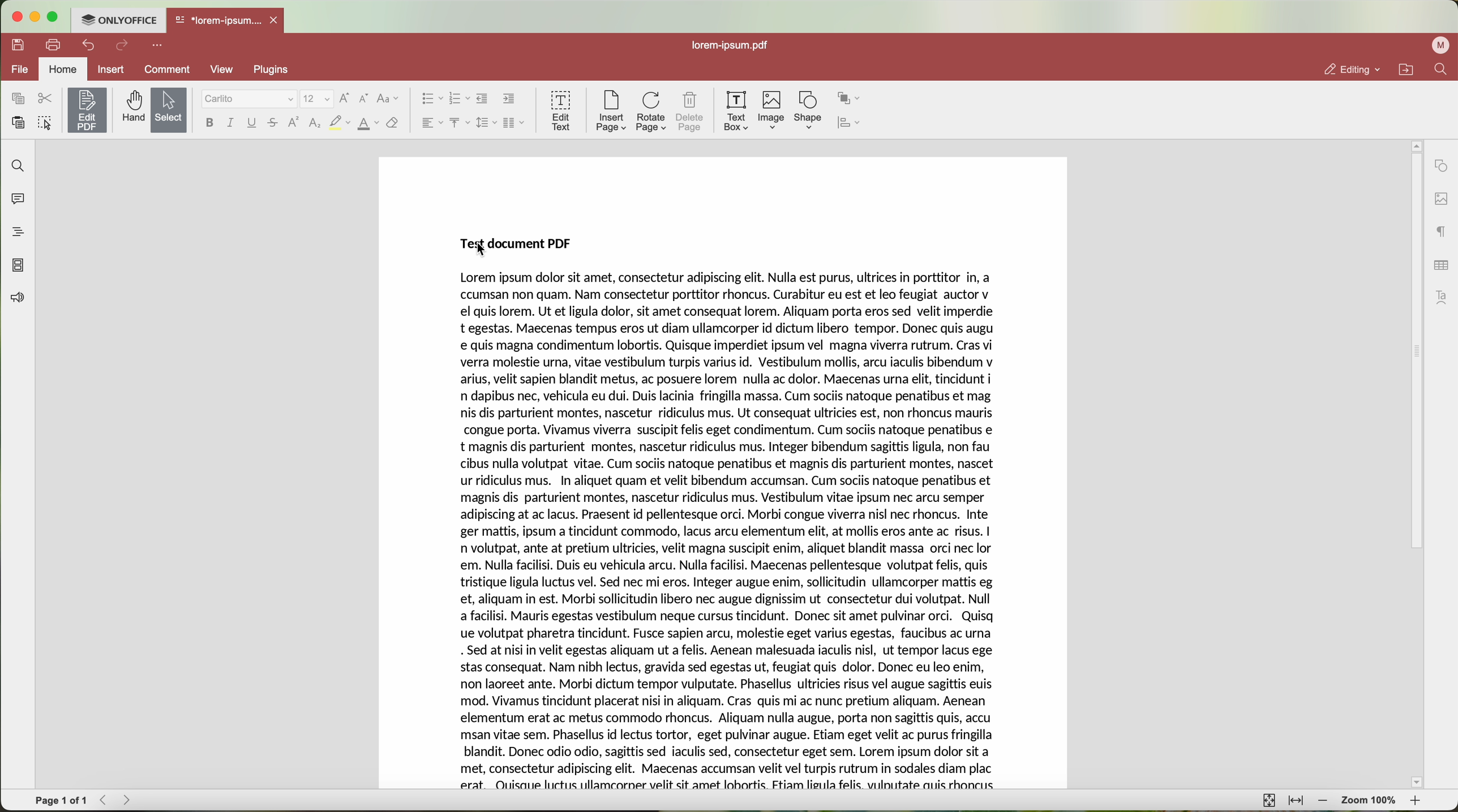 The width and height of the screenshot is (1458, 812). What do you see at coordinates (19, 16) in the screenshot?
I see `close program` at bounding box center [19, 16].